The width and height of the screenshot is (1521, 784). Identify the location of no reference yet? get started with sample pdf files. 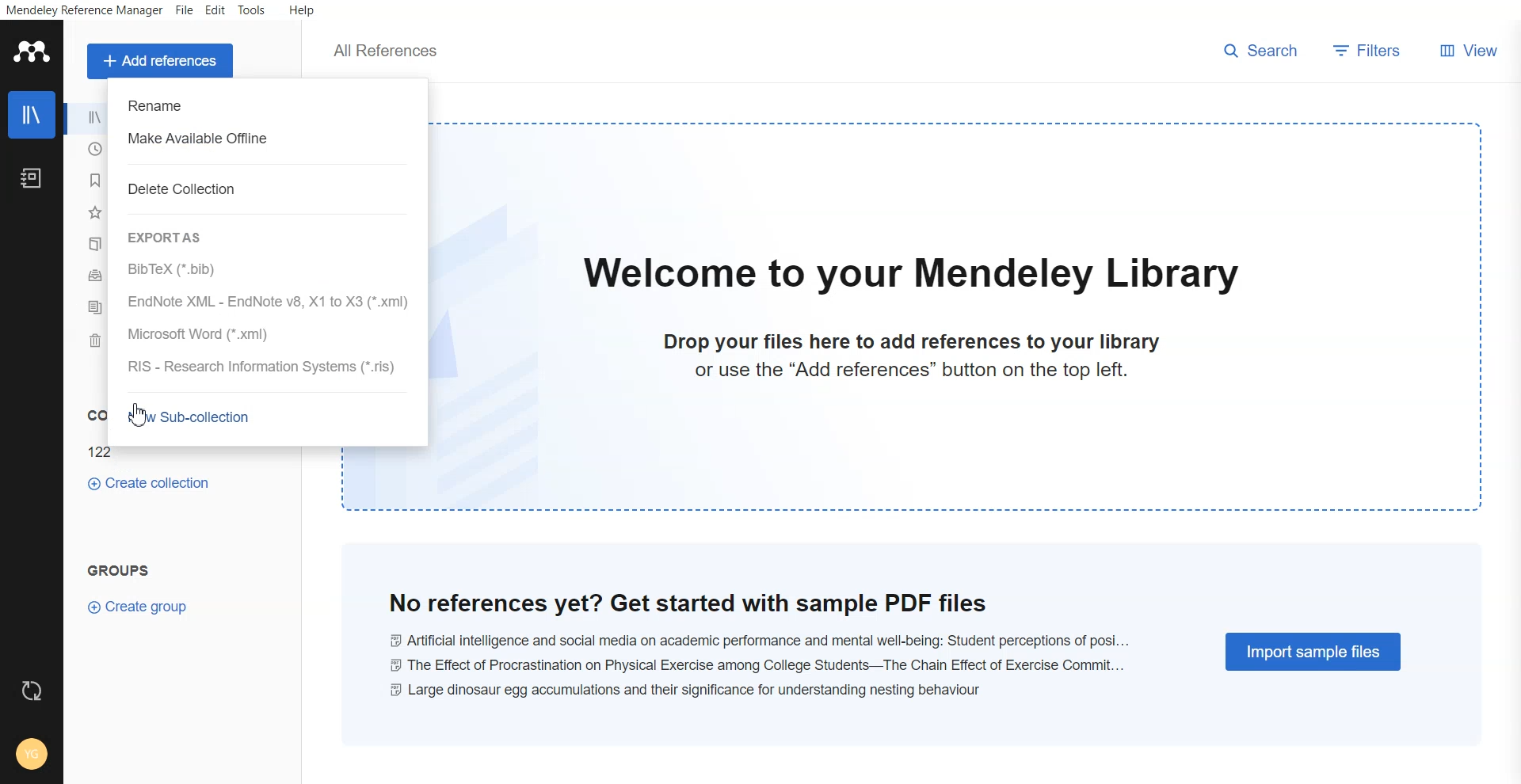
(760, 602).